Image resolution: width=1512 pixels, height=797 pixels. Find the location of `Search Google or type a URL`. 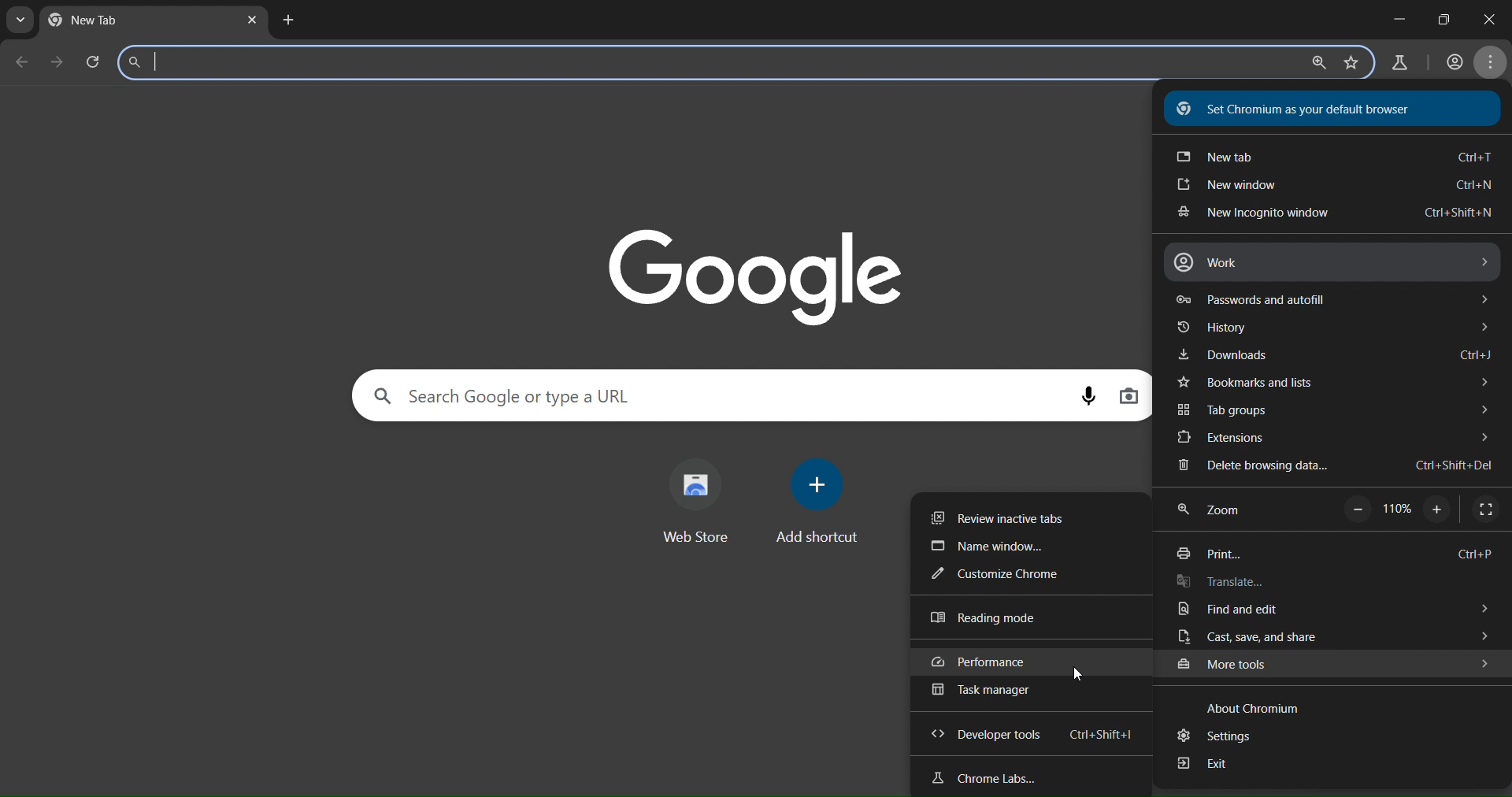

Search Google or type a URL is located at coordinates (512, 394).